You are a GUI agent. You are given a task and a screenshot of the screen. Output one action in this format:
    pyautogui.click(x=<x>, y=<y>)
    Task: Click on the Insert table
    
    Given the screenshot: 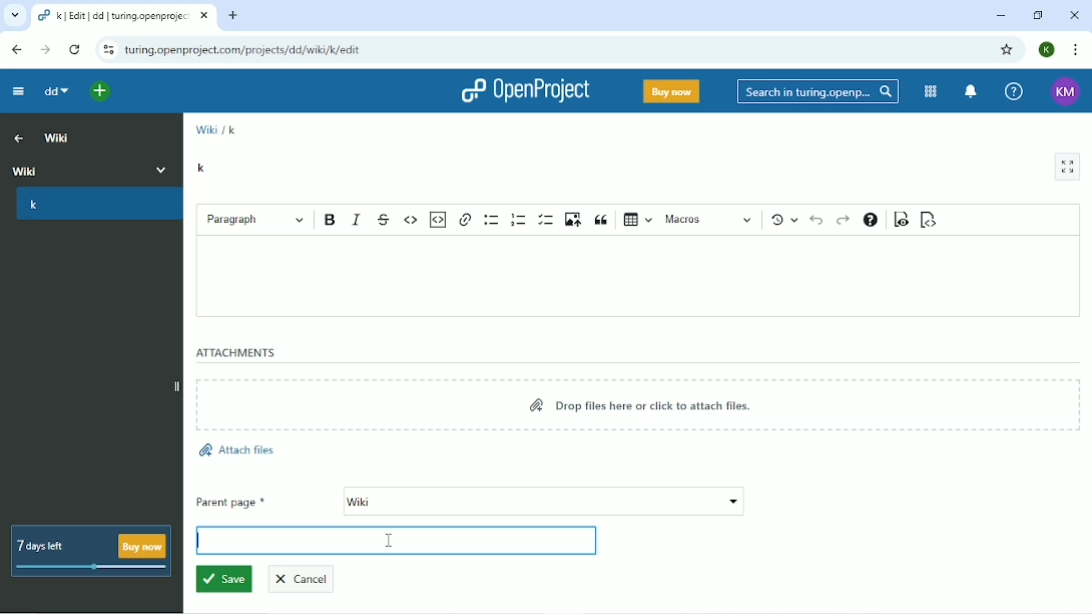 What is the action you would take?
    pyautogui.click(x=639, y=218)
    